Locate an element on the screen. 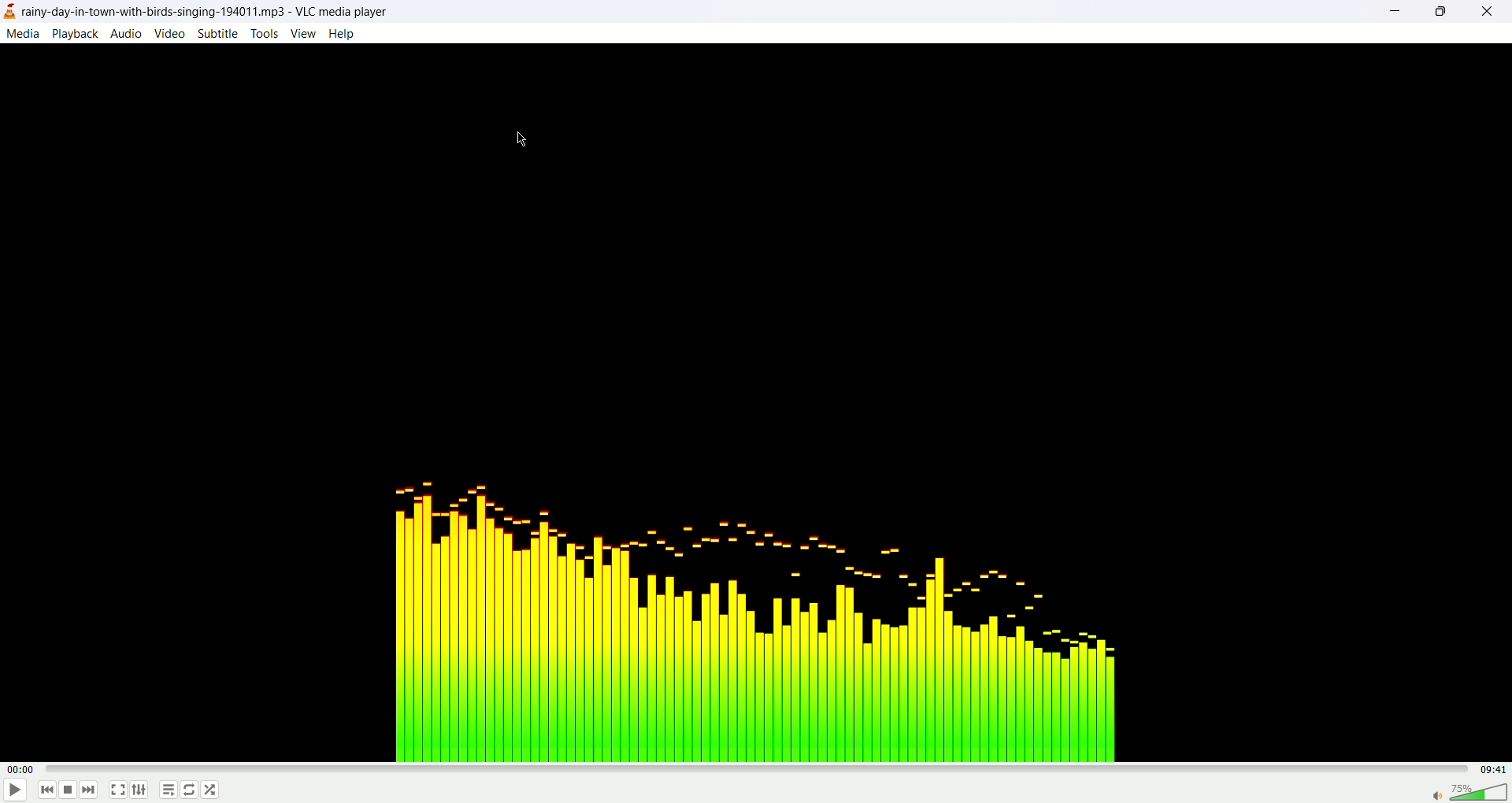 This screenshot has width=1512, height=803. full screen is located at coordinates (117, 792).